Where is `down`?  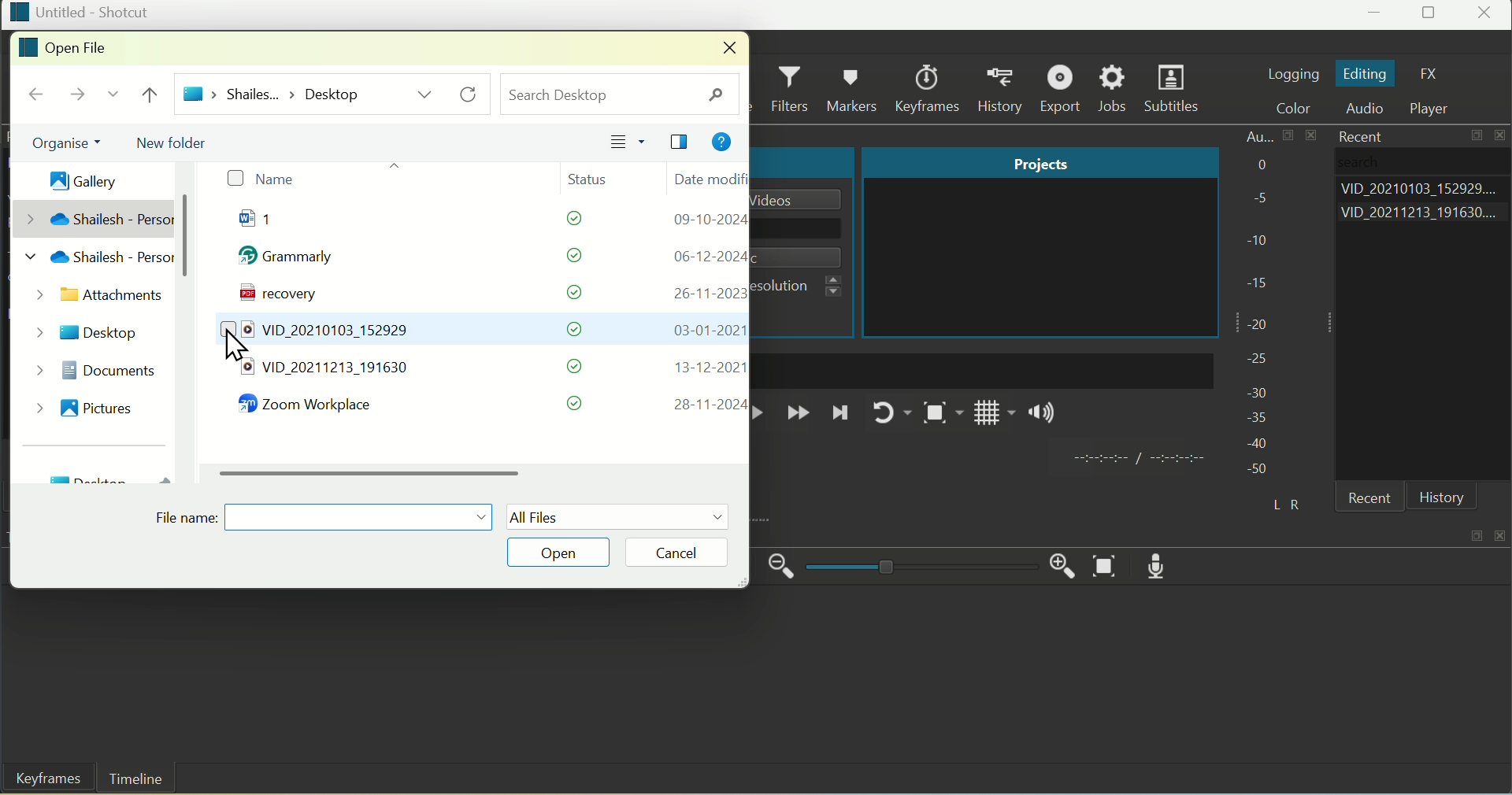 down is located at coordinates (111, 98).